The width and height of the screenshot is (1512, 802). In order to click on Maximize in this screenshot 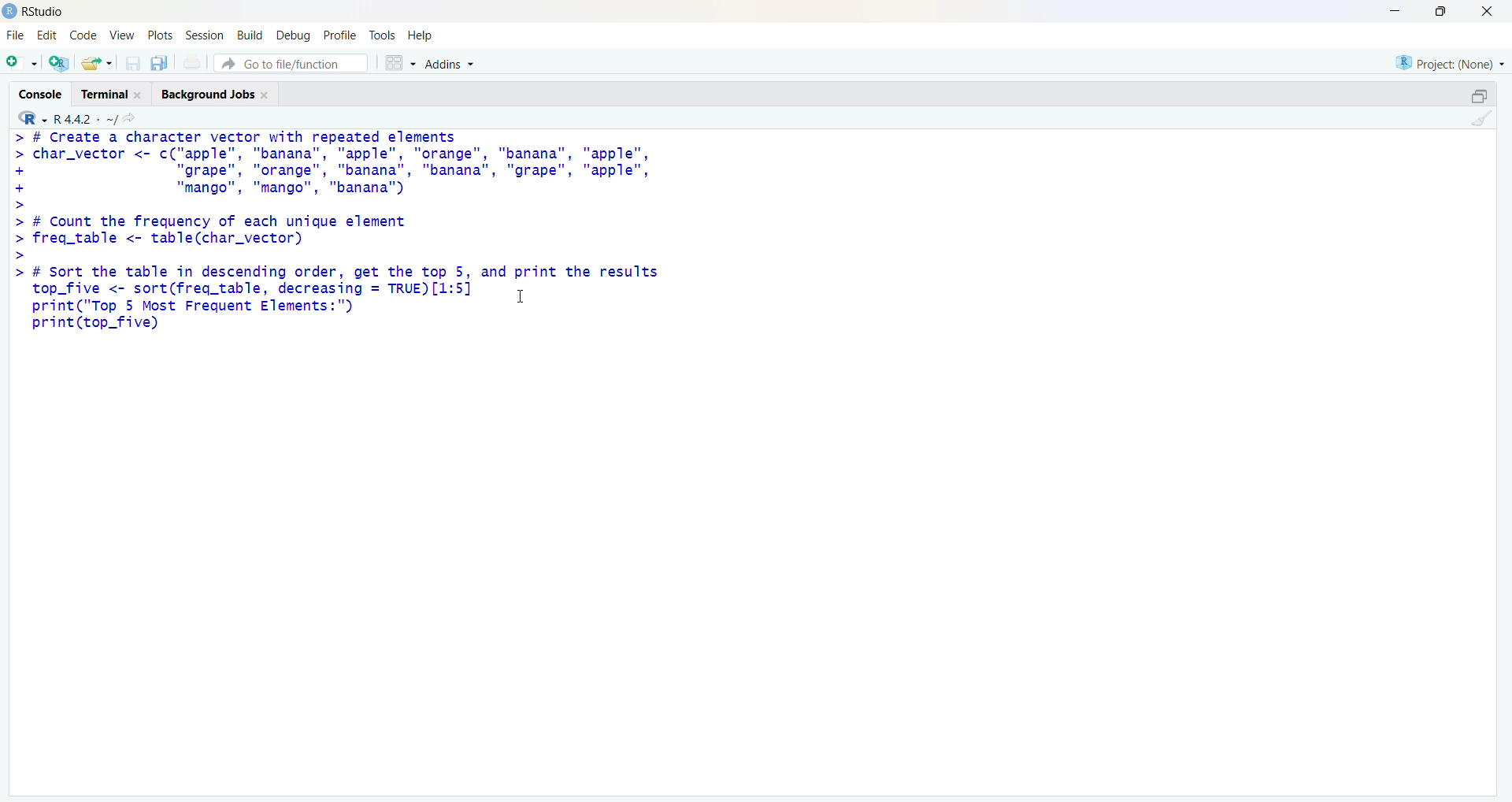, I will do `click(1441, 14)`.